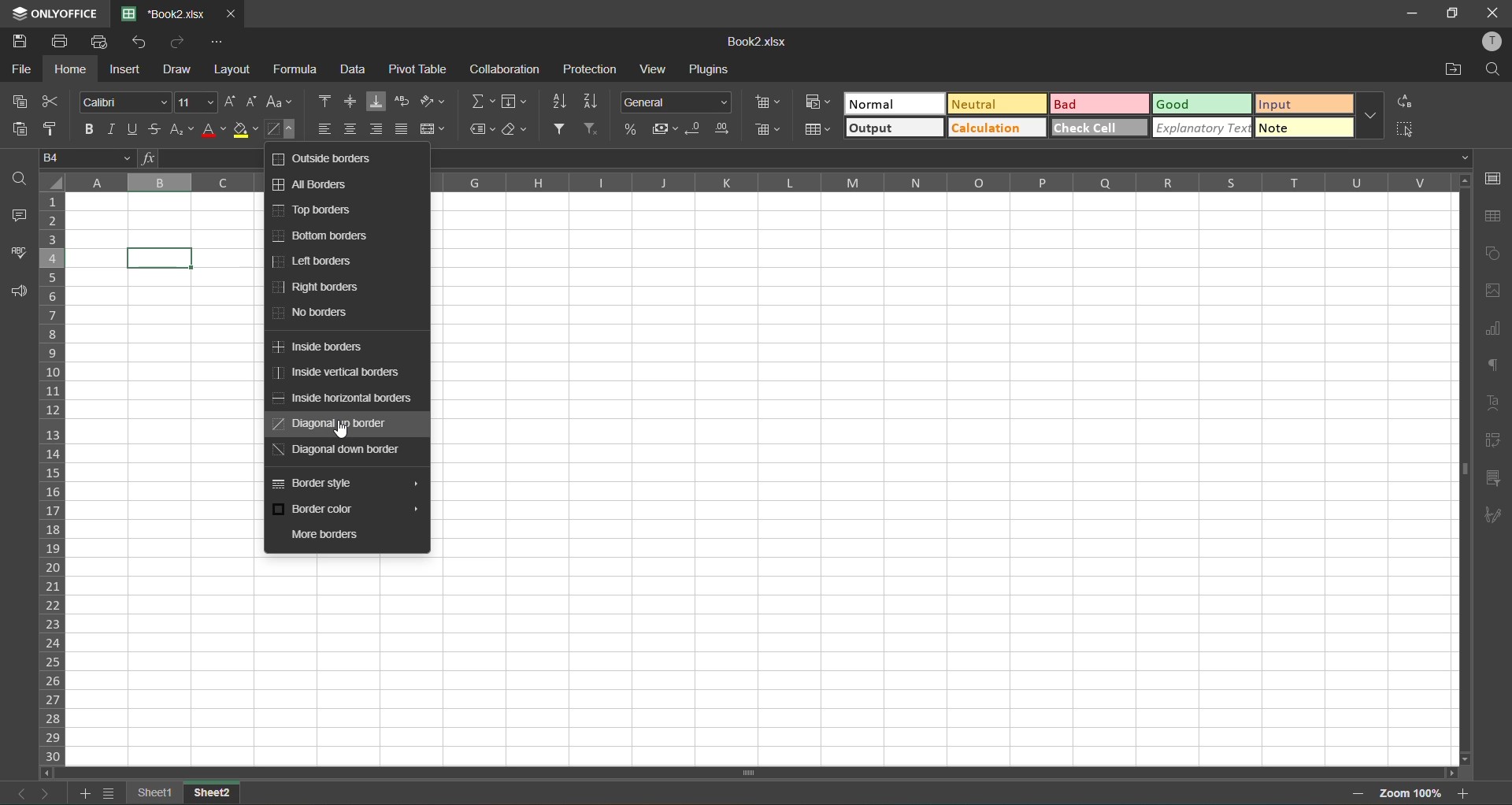 The image size is (1512, 805). Describe the element at coordinates (1302, 104) in the screenshot. I see `input` at that location.